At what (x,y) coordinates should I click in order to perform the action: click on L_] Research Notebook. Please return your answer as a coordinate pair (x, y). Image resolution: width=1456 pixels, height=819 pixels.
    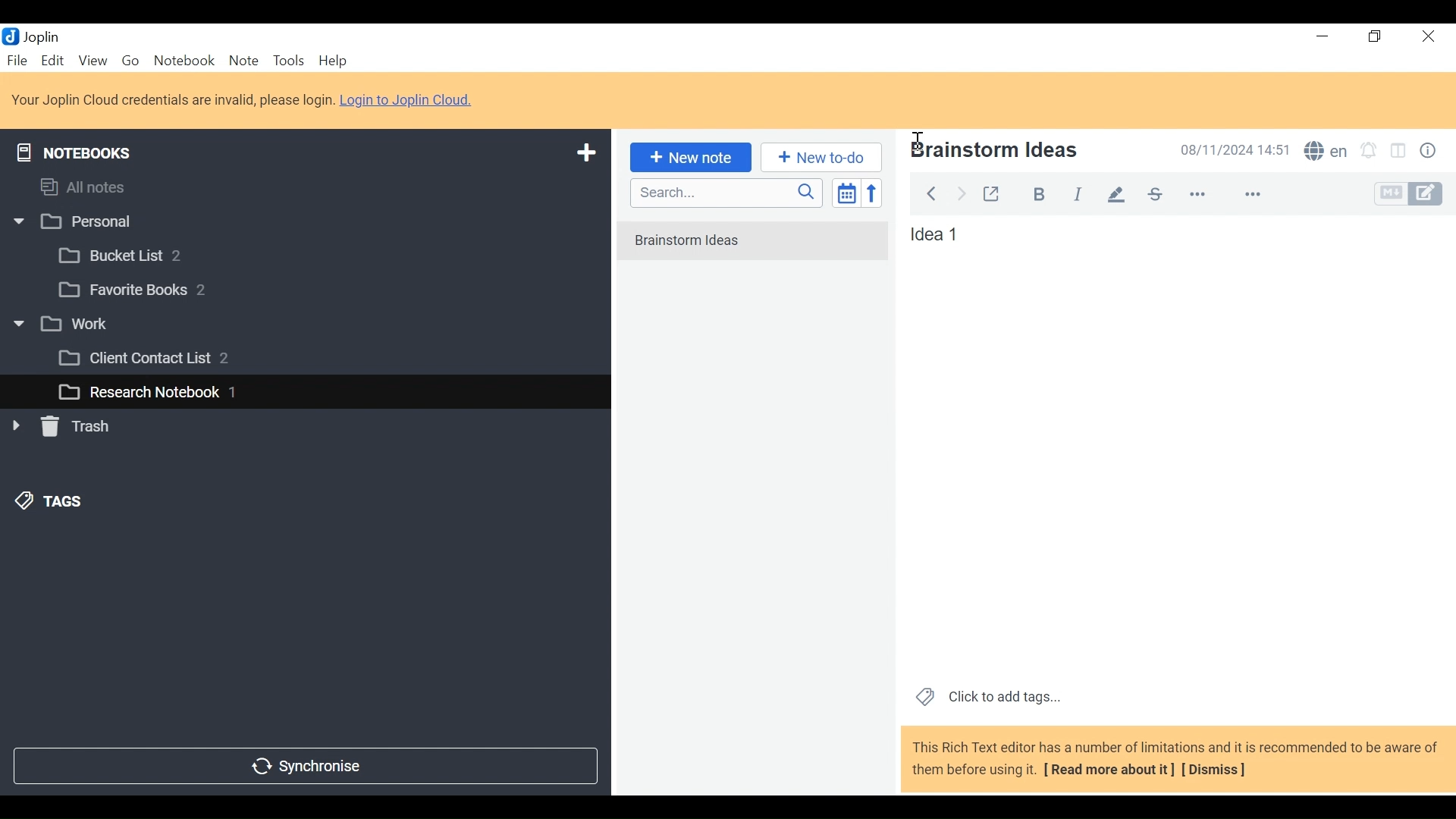
    Looking at the image, I should click on (138, 393).